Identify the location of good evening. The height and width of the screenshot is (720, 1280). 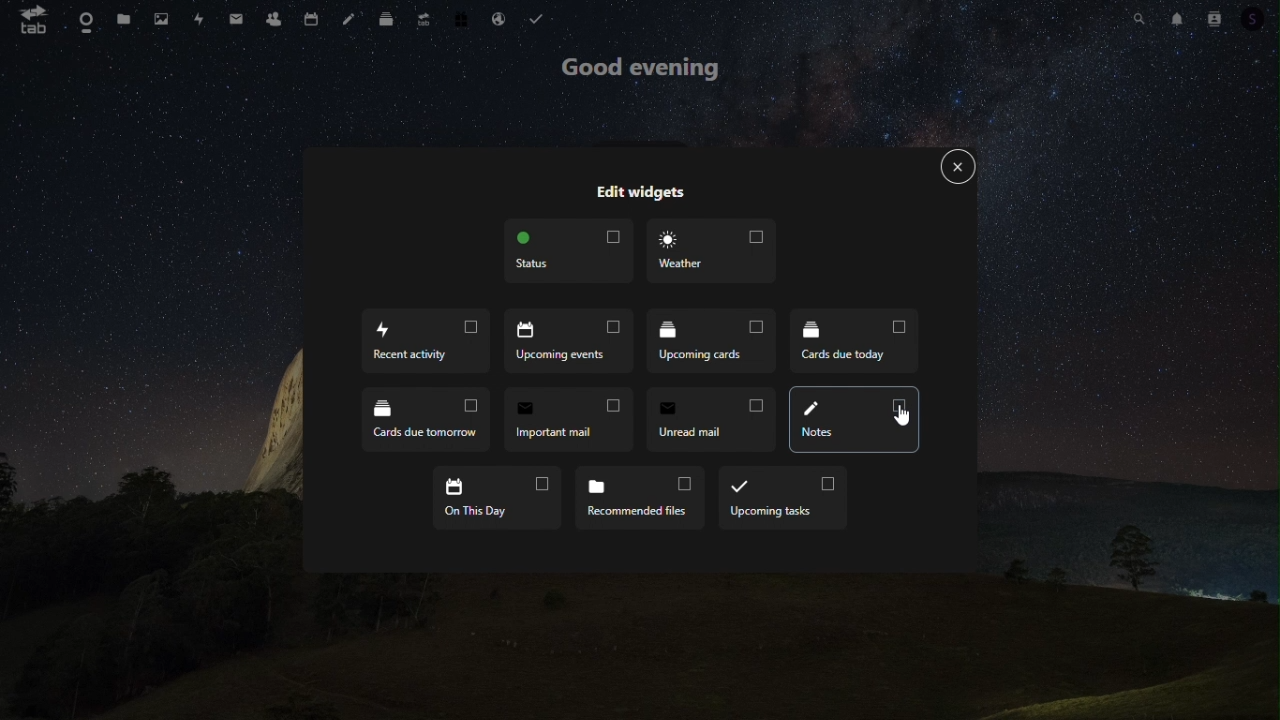
(645, 72).